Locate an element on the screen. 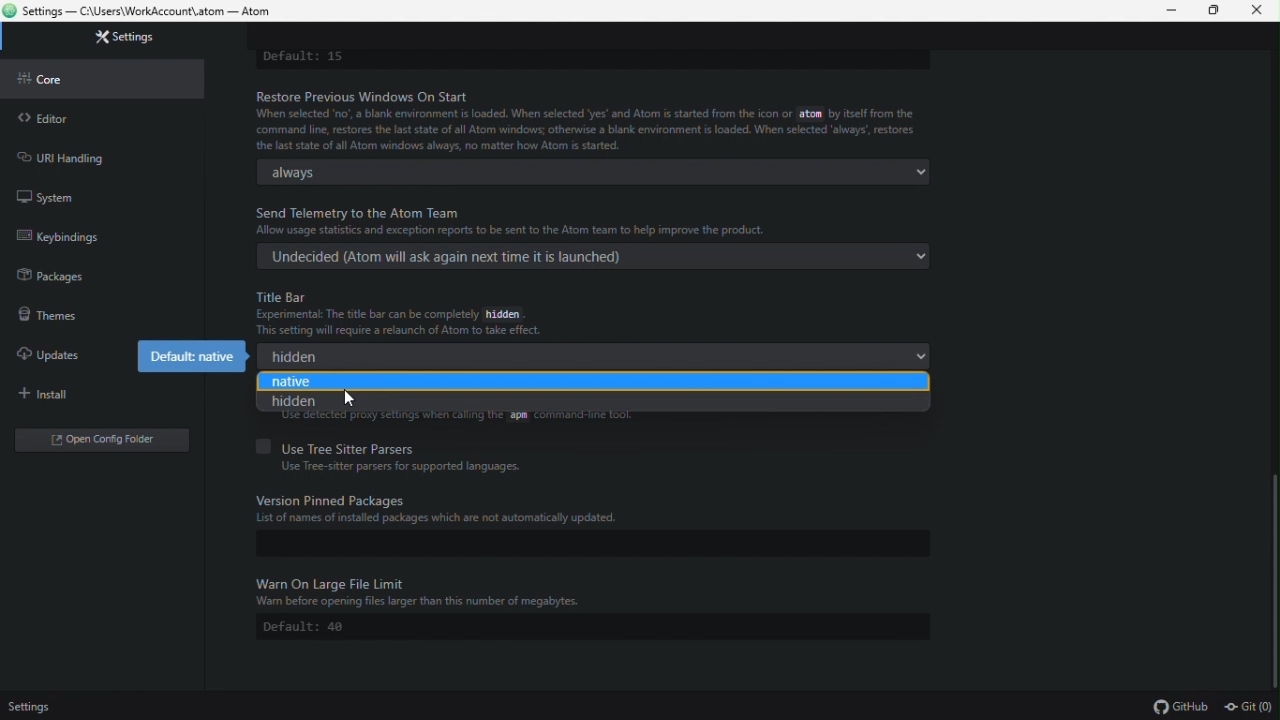  Default: 40 is located at coordinates (593, 627).